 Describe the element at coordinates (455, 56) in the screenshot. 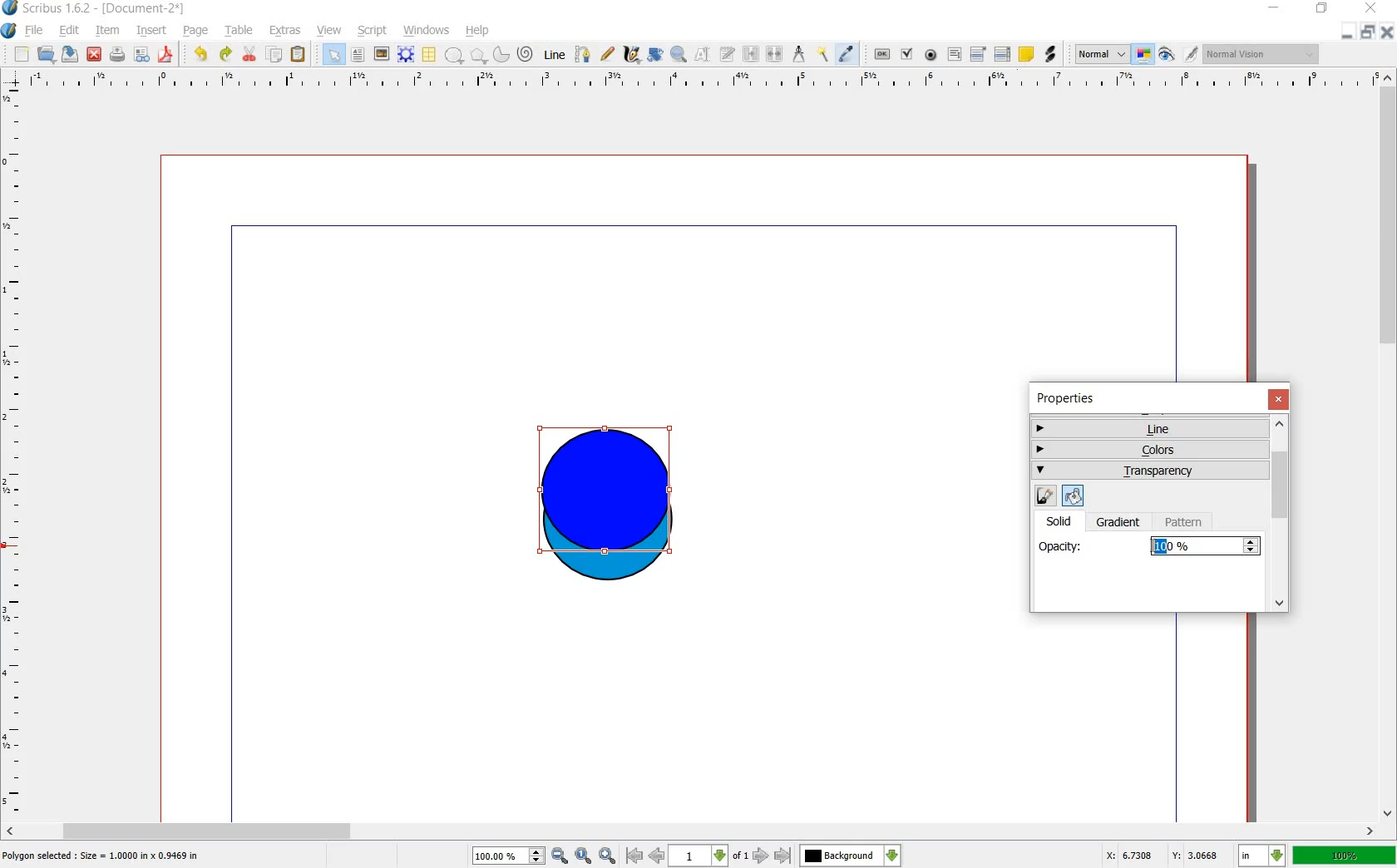

I see `shape` at that location.